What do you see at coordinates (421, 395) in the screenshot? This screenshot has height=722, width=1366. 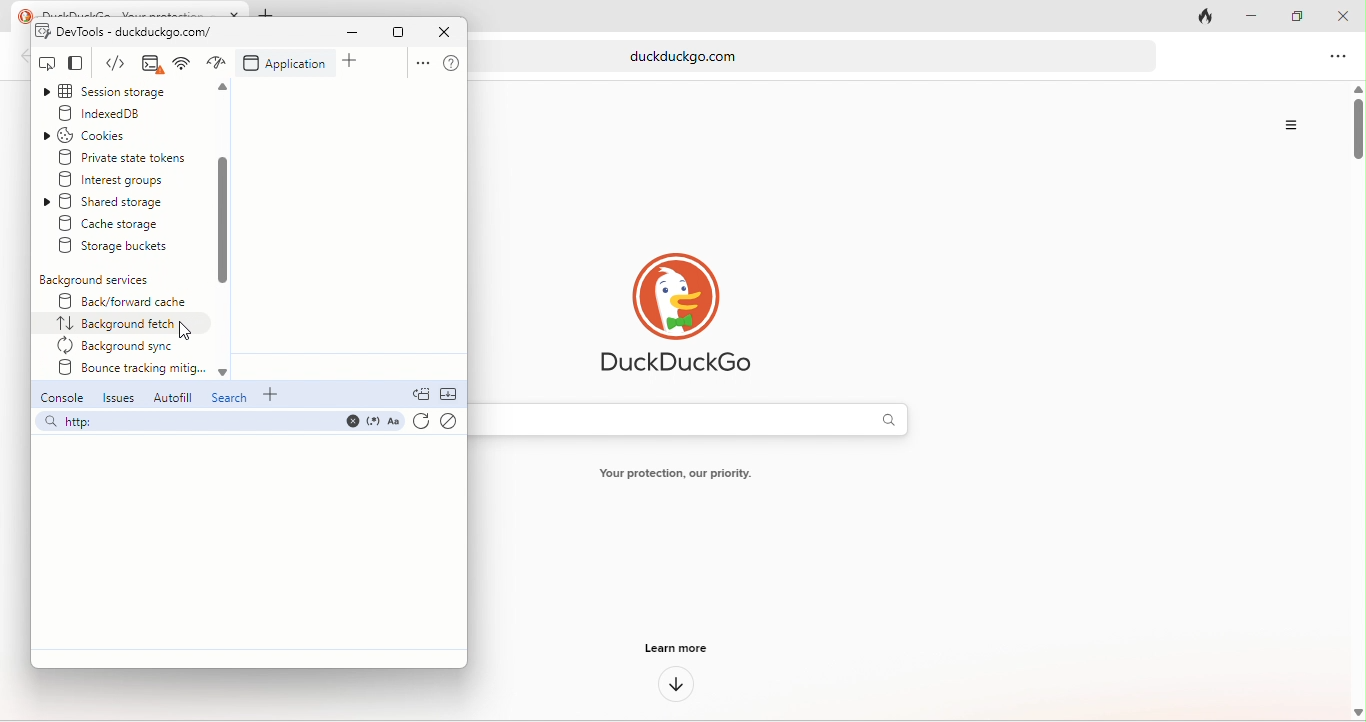 I see `doc quick view` at bounding box center [421, 395].